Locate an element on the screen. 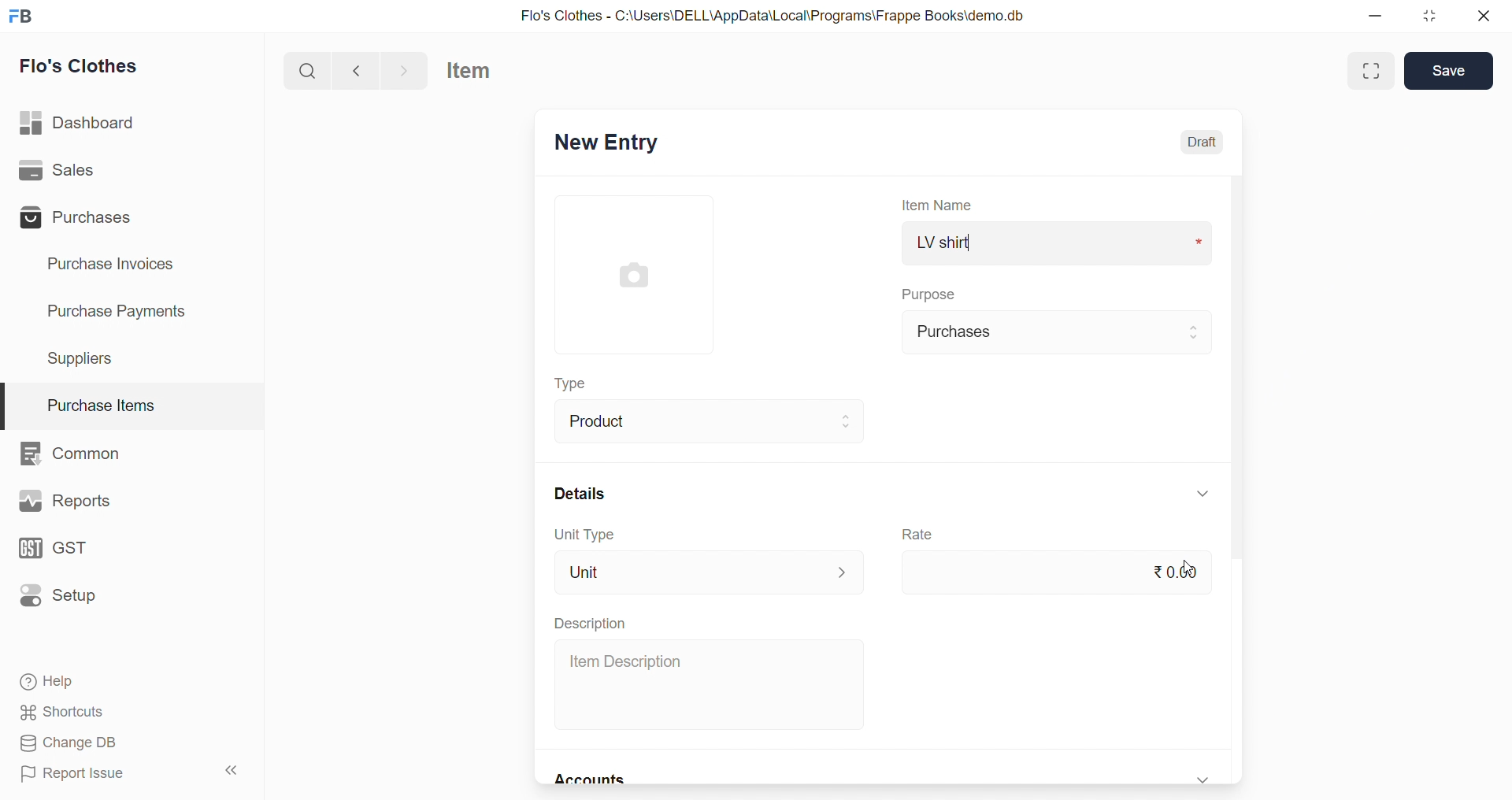 The height and width of the screenshot is (800, 1512). scroll bar is located at coordinates (1243, 480).